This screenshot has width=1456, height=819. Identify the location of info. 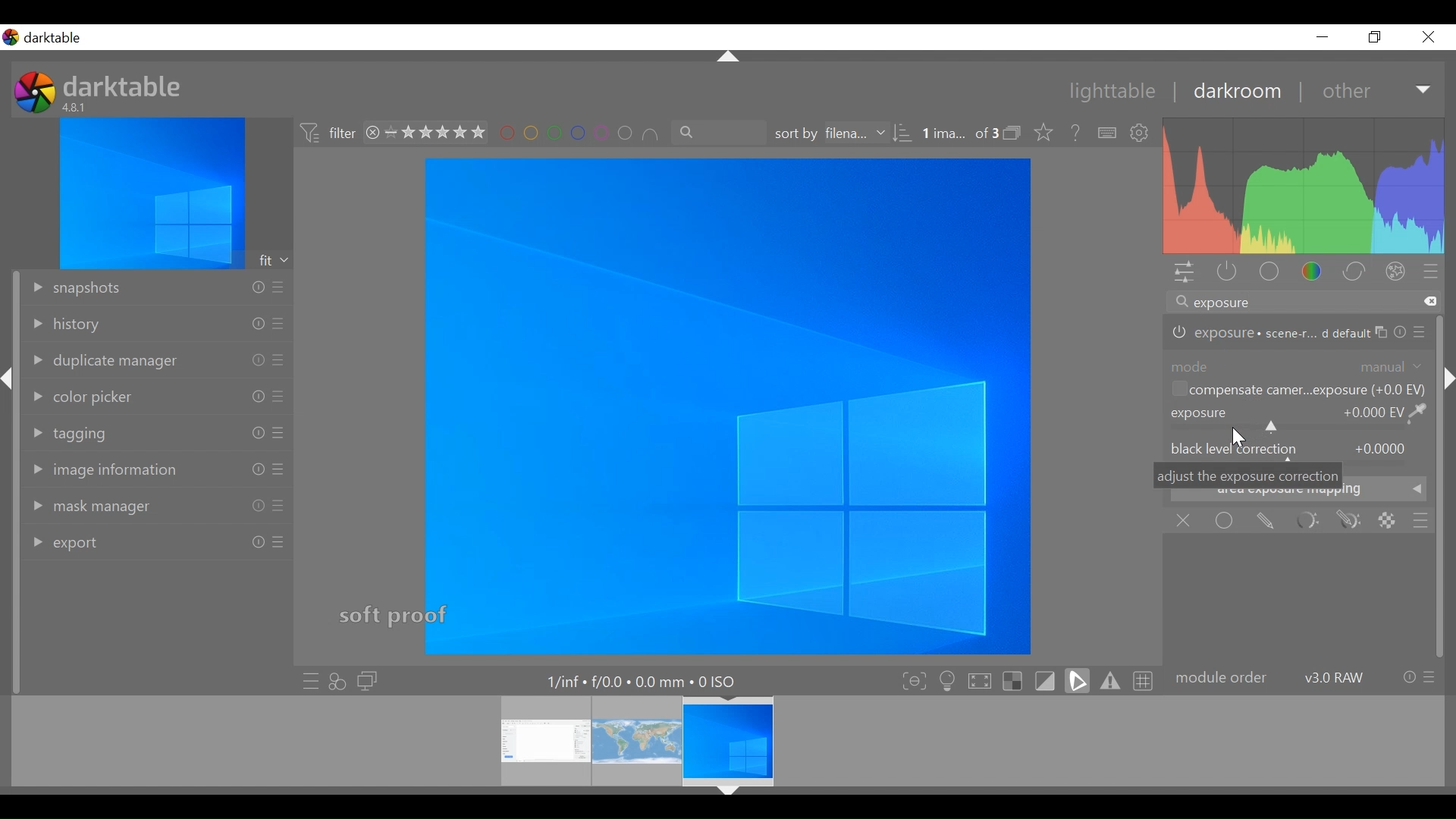
(257, 396).